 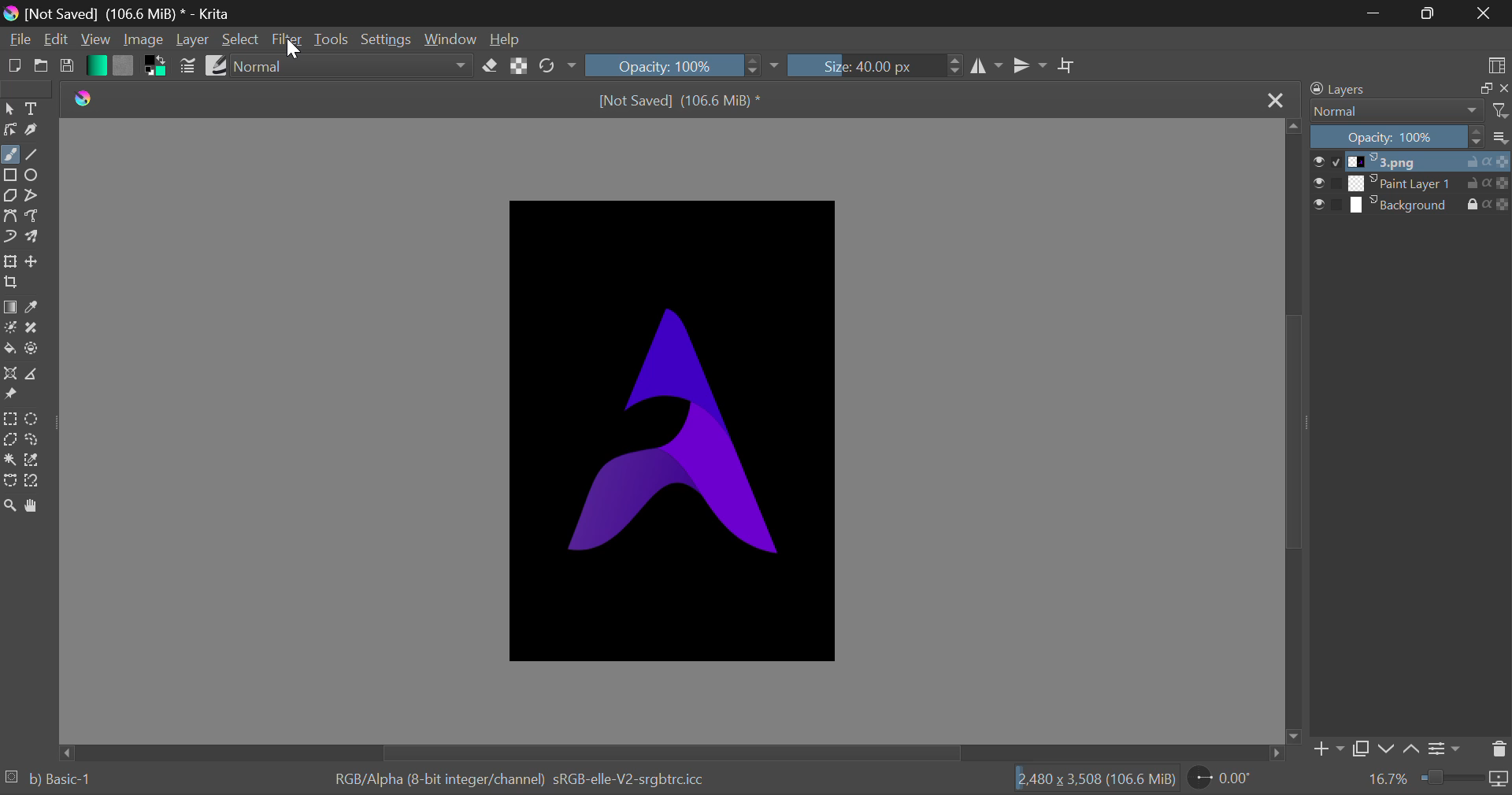 What do you see at coordinates (36, 460) in the screenshot?
I see `Similar Color Selector` at bounding box center [36, 460].